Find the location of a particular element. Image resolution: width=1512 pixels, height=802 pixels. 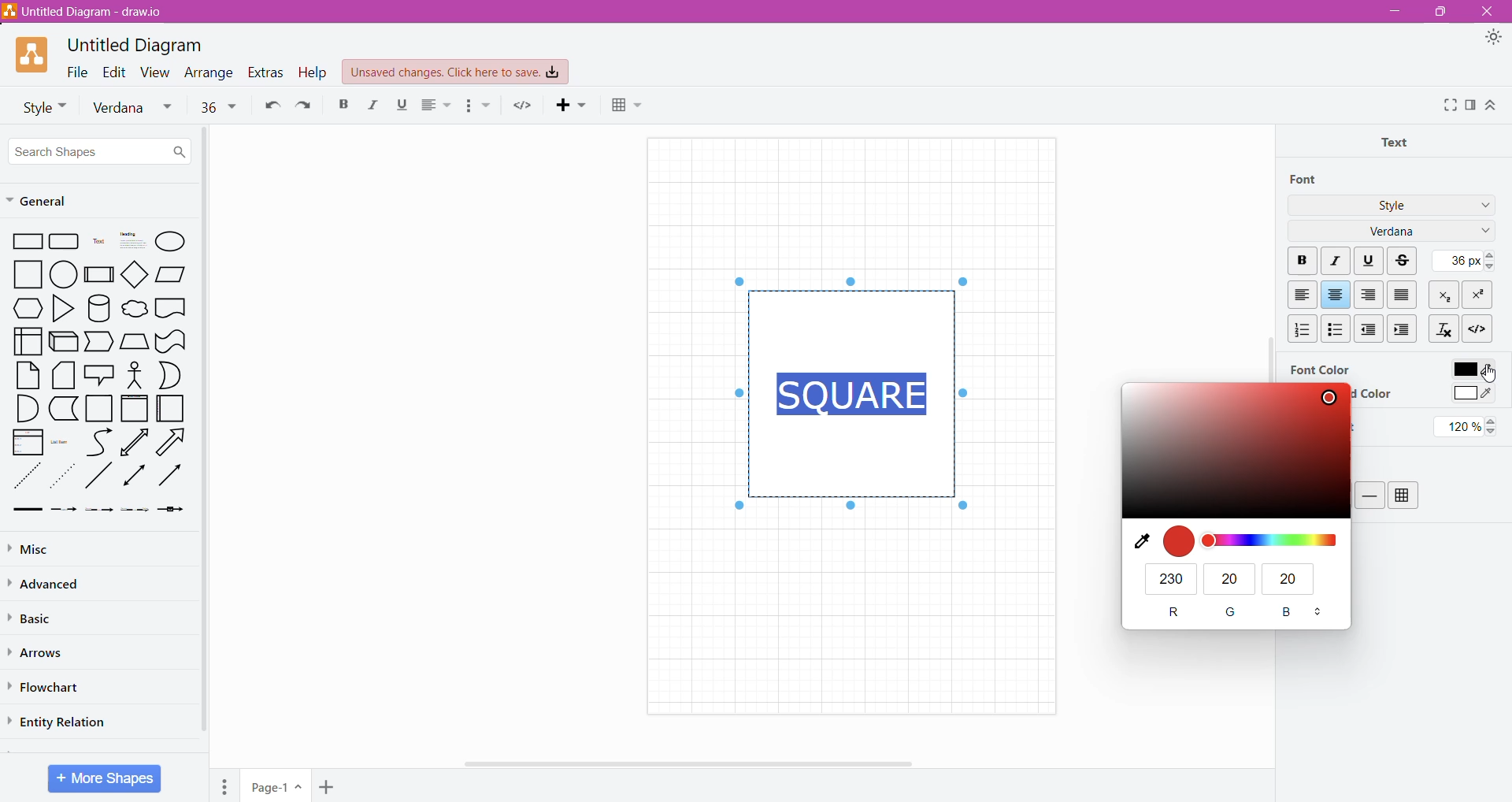

Set Line height is located at coordinates (1469, 426).